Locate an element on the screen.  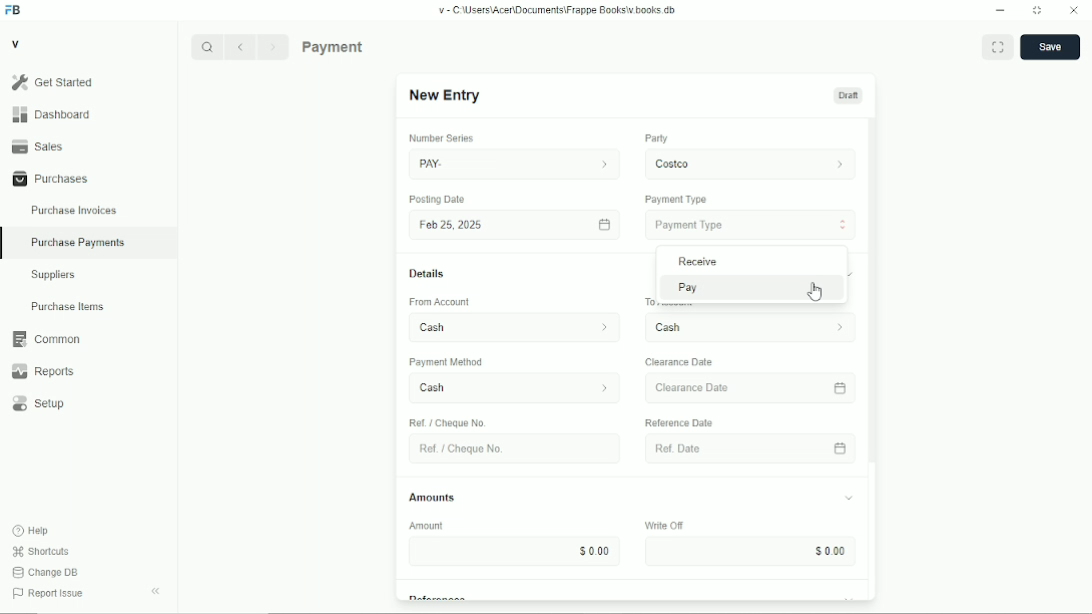
‘From Account is located at coordinates (438, 303).